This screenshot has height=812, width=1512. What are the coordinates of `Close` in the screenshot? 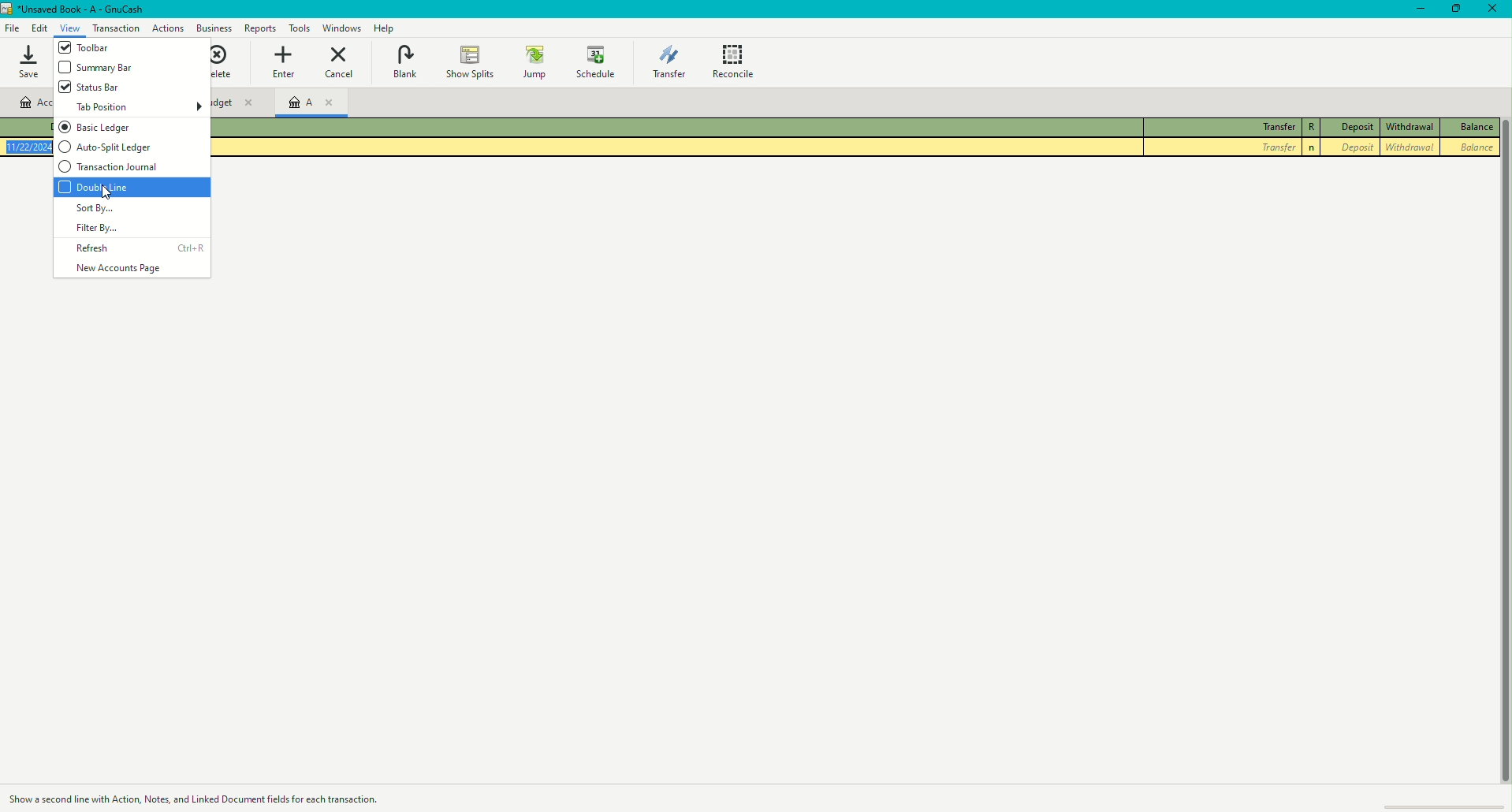 It's located at (1493, 13).